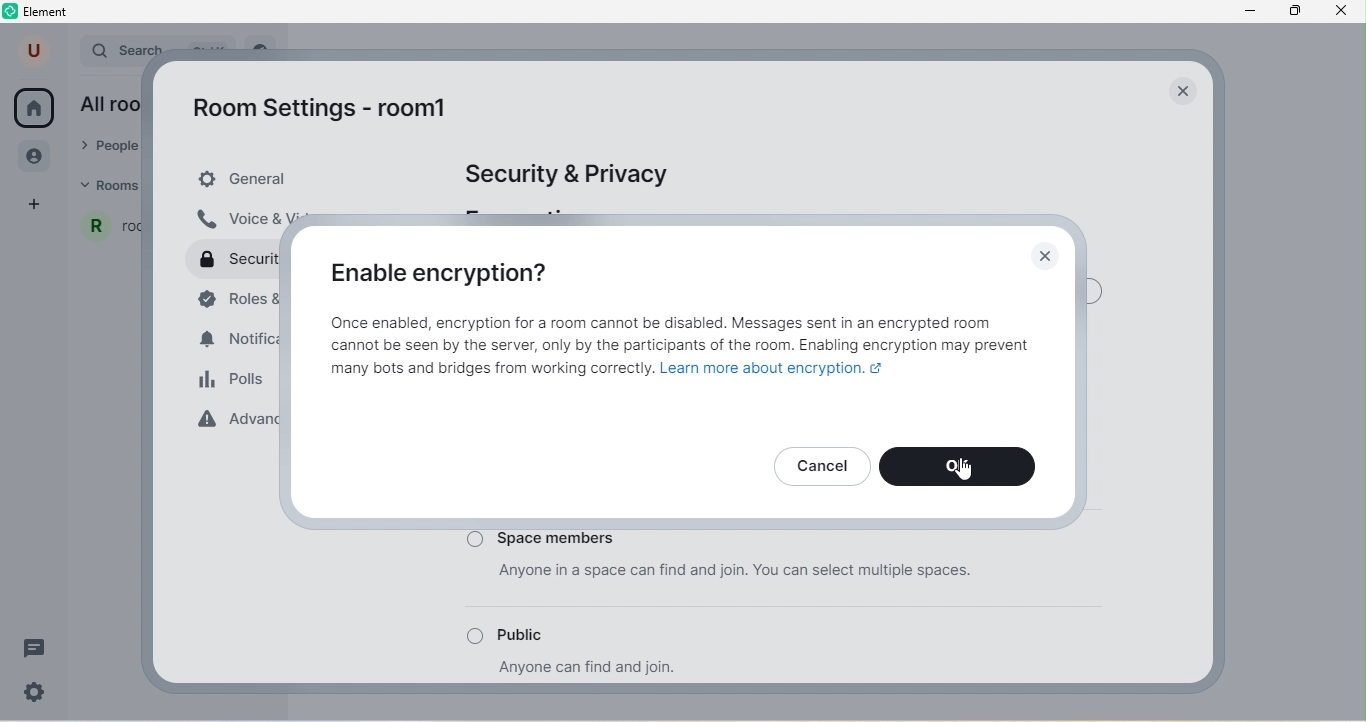 Image resolution: width=1366 pixels, height=722 pixels. Describe the element at coordinates (301, 179) in the screenshot. I see `general` at that location.